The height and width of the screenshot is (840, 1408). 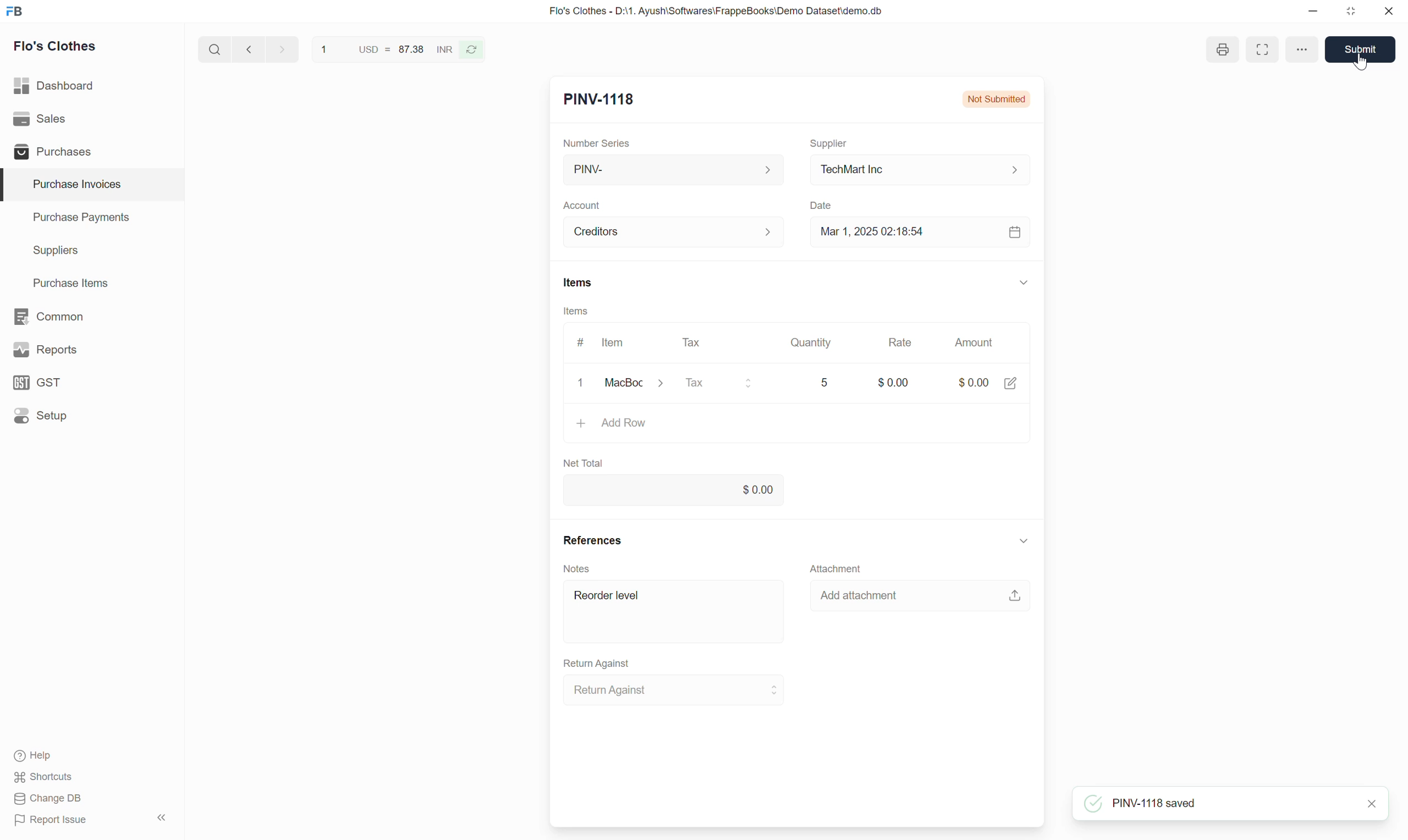 I want to click on Amount, so click(x=978, y=342).